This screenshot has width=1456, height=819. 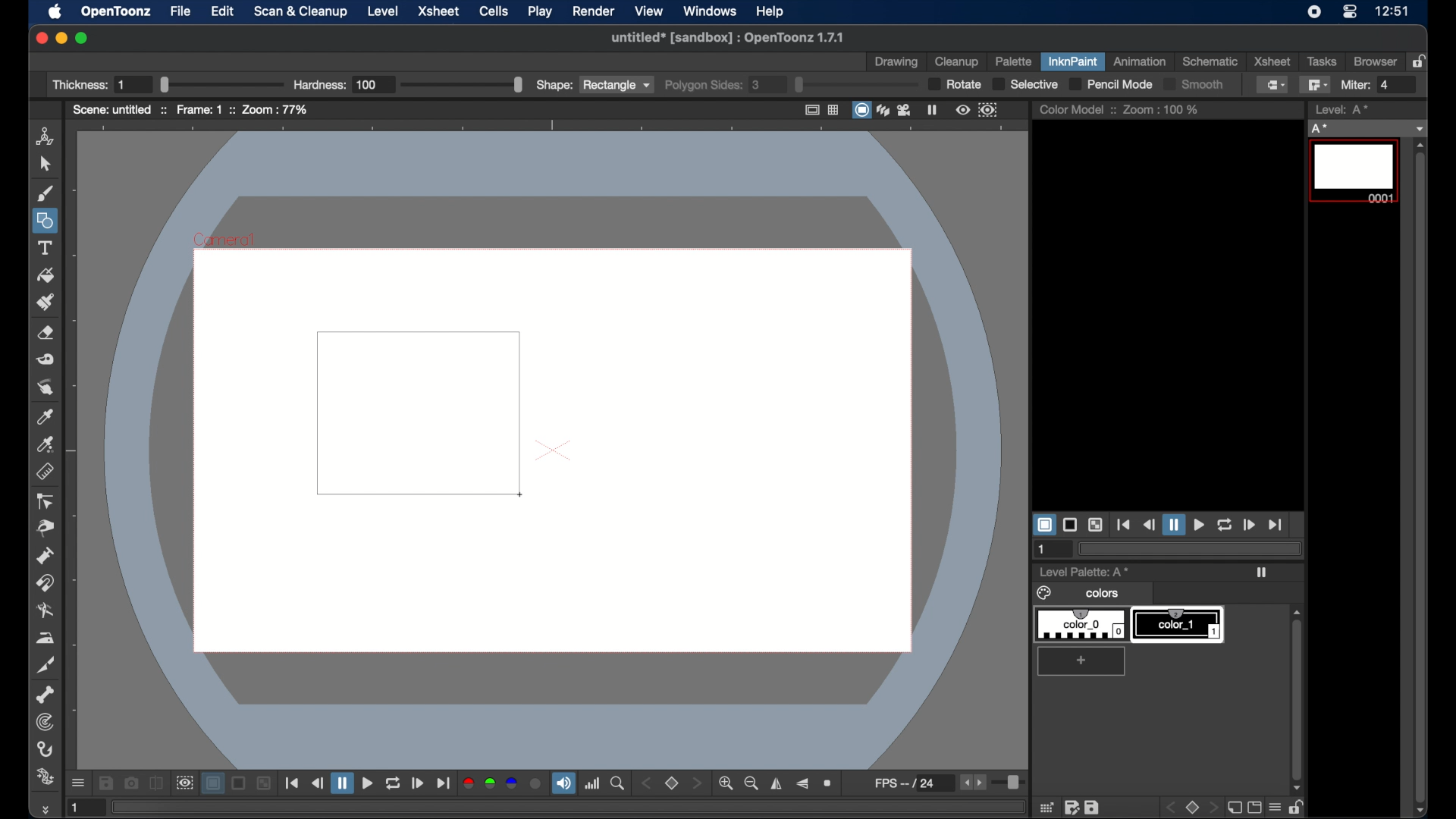 What do you see at coordinates (696, 783) in the screenshot?
I see `stepper button` at bounding box center [696, 783].